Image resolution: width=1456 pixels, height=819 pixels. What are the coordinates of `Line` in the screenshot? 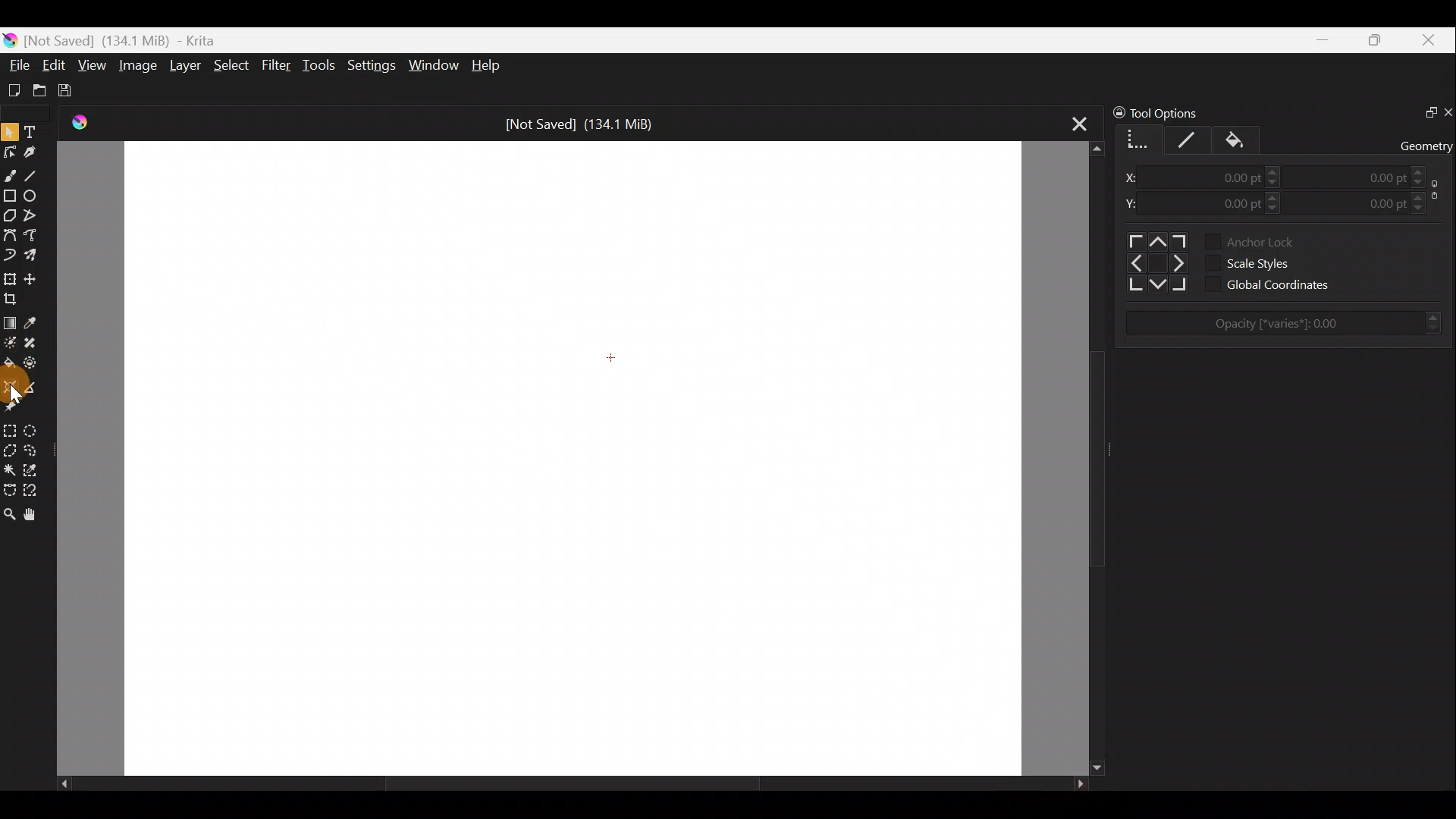 It's located at (37, 175).